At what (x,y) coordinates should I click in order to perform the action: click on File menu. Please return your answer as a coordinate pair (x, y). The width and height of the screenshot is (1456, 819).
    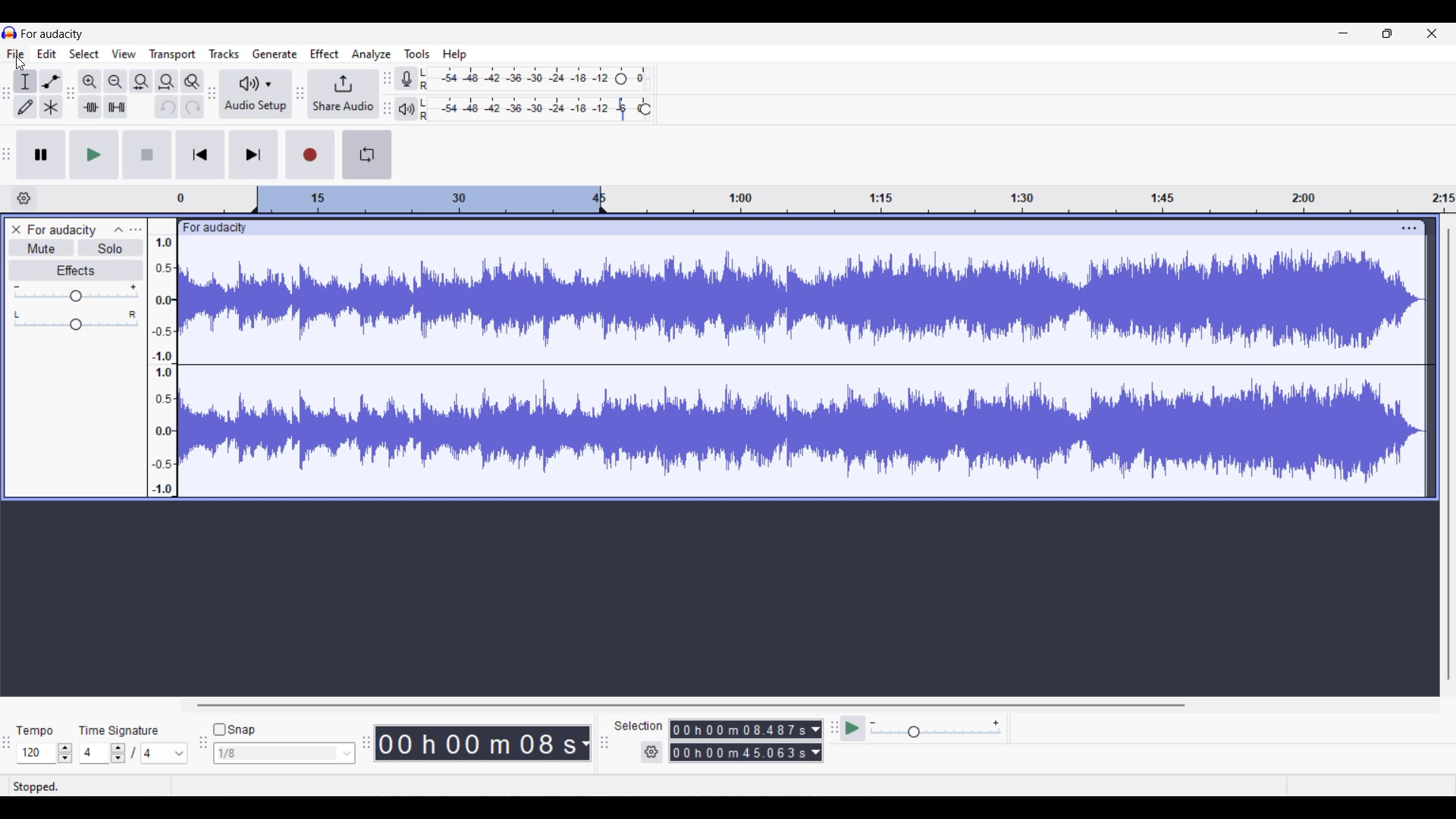
    Looking at the image, I should click on (16, 53).